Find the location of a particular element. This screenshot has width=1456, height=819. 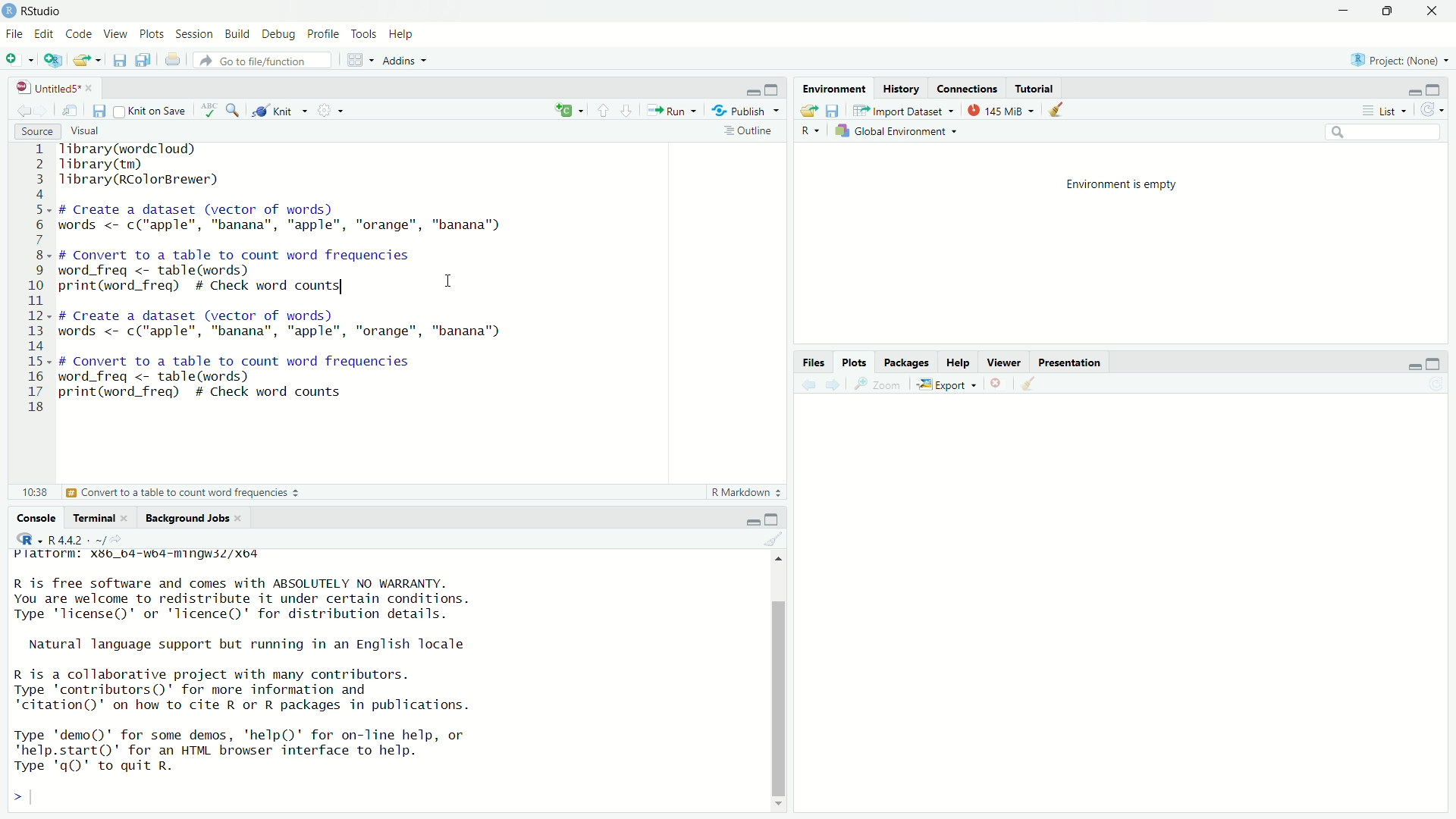

Plots is located at coordinates (152, 34).